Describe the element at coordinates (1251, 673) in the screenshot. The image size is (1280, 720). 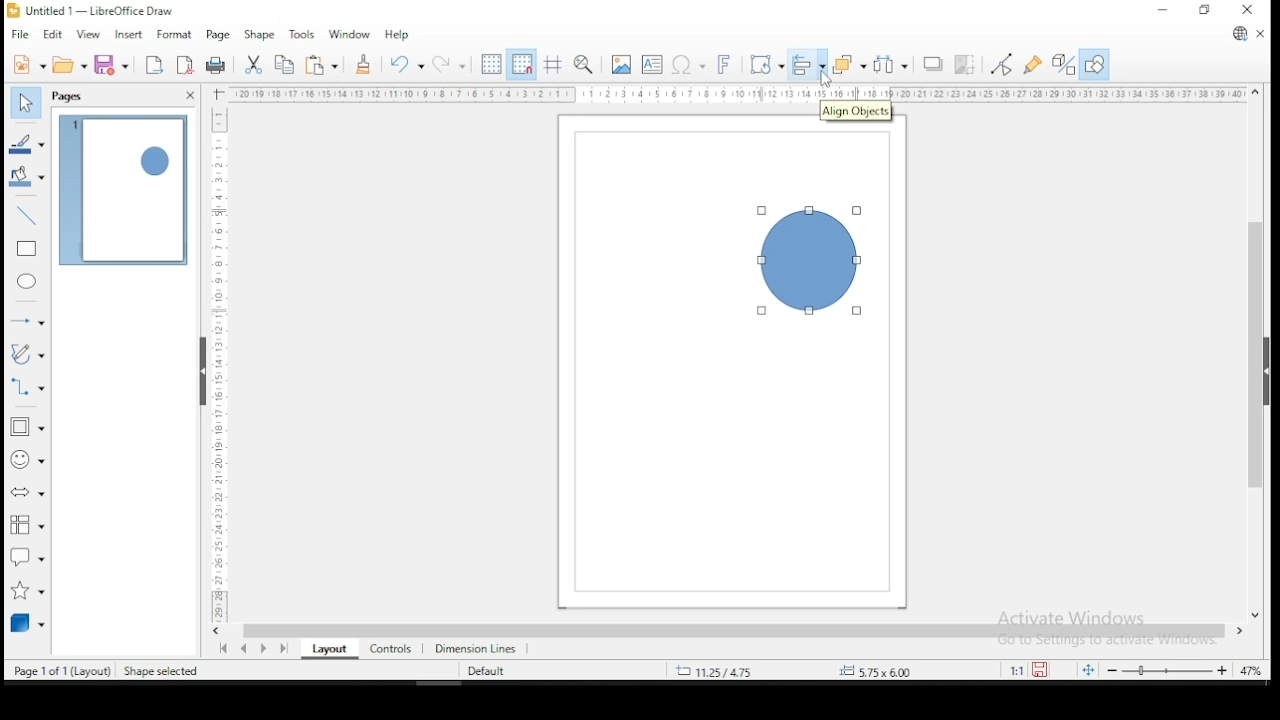
I see `zoom level` at that location.